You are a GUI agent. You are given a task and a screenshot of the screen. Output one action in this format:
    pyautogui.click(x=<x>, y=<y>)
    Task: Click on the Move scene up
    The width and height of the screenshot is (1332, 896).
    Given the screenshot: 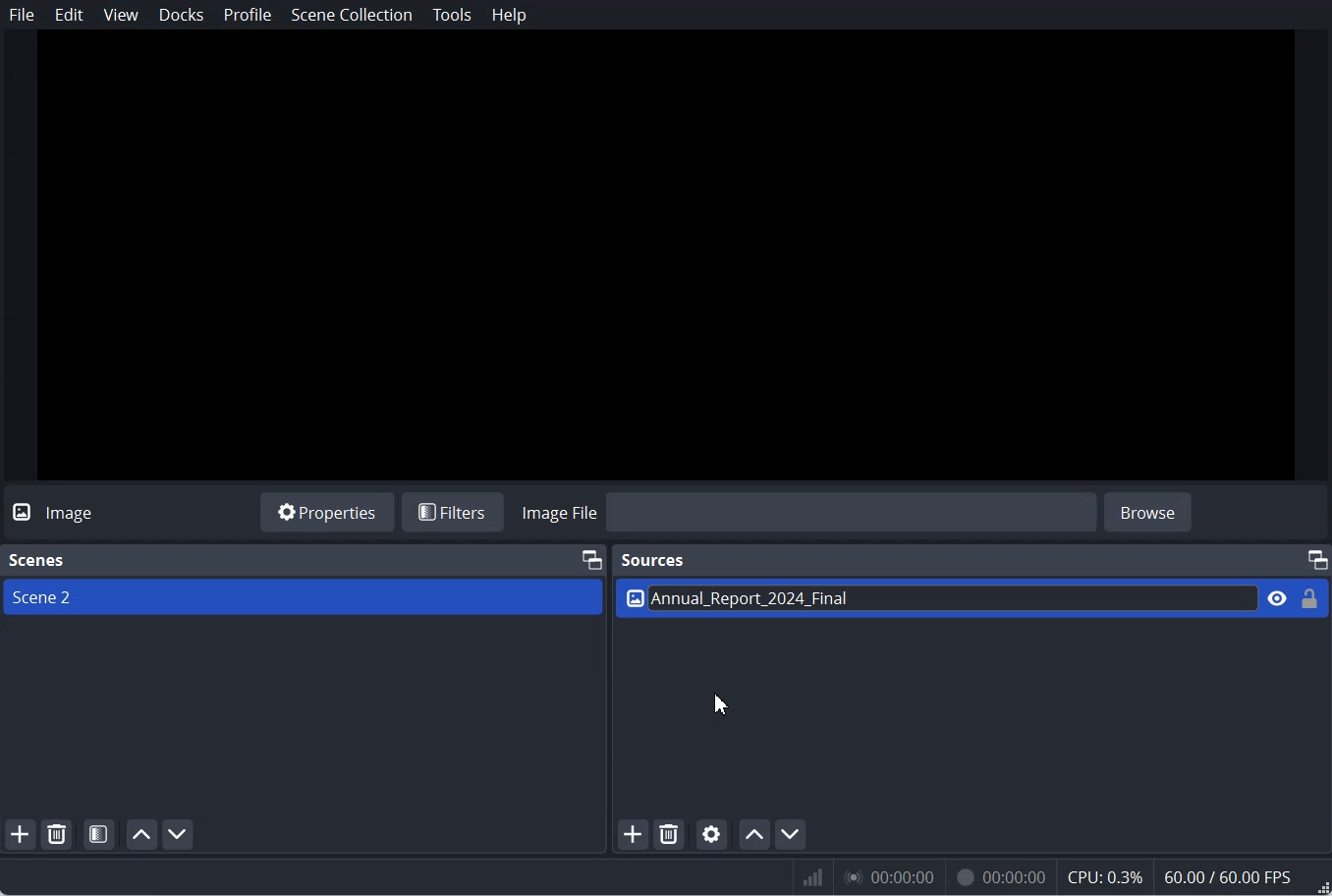 What is the action you would take?
    pyautogui.click(x=141, y=833)
    